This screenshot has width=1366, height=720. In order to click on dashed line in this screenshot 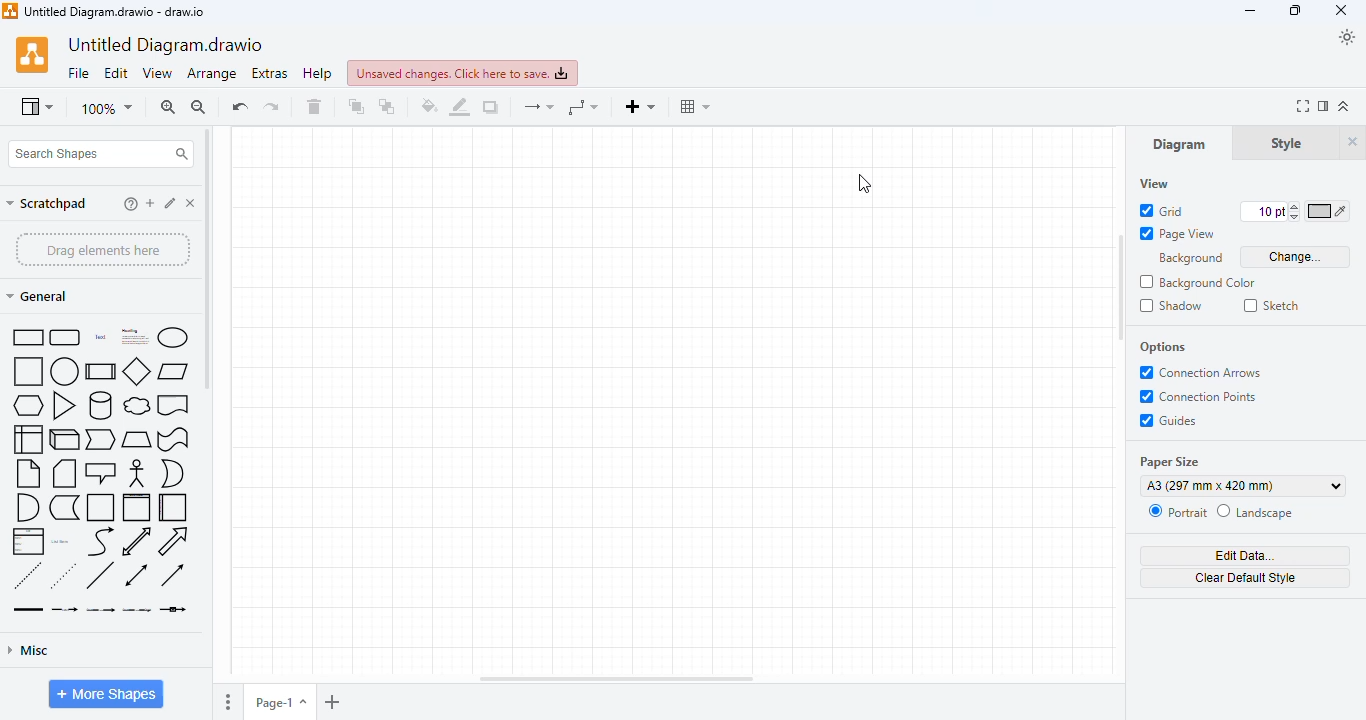, I will do `click(27, 575)`.